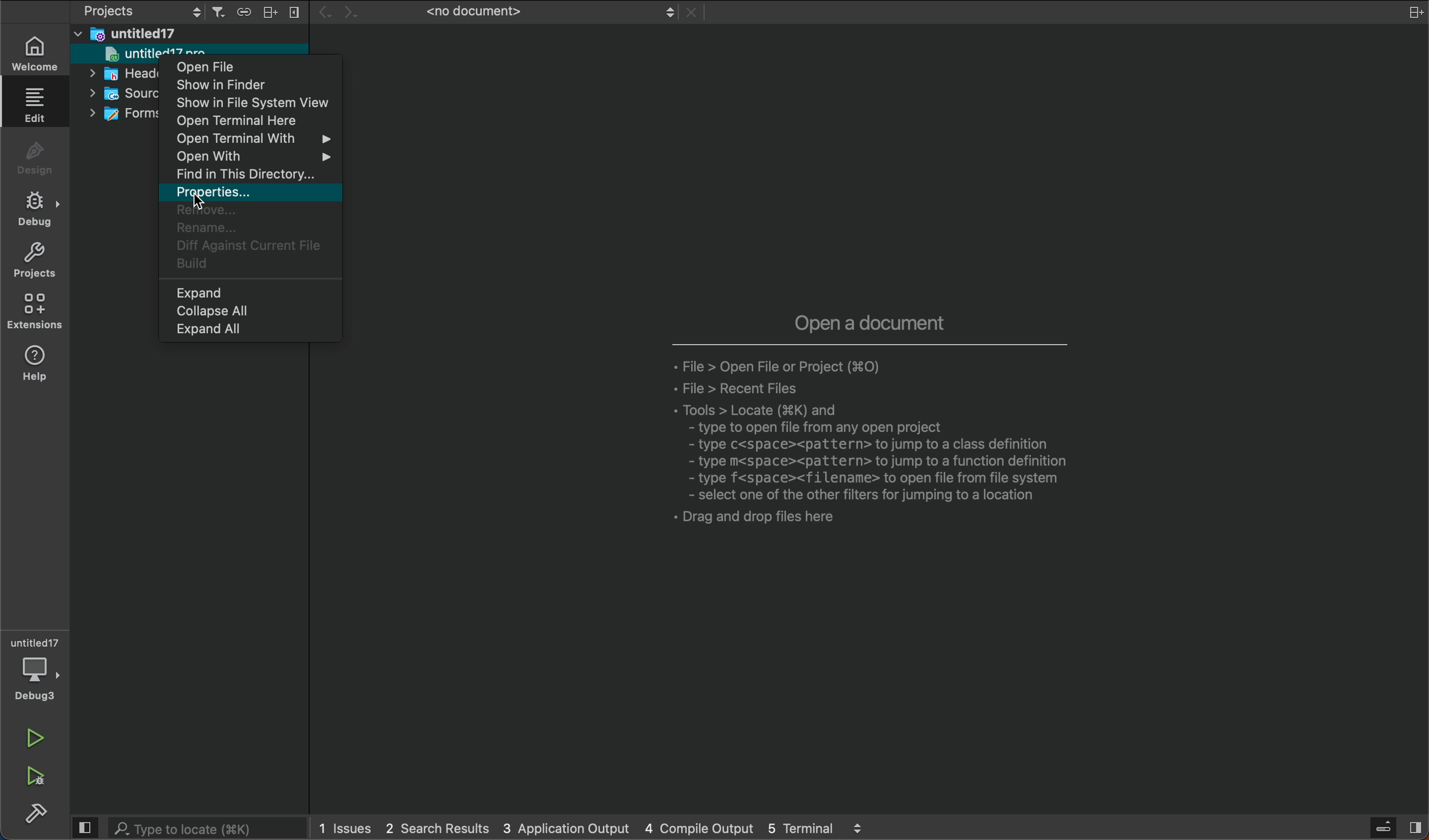 The image size is (1429, 840). What do you see at coordinates (253, 330) in the screenshot?
I see `expand all` at bounding box center [253, 330].